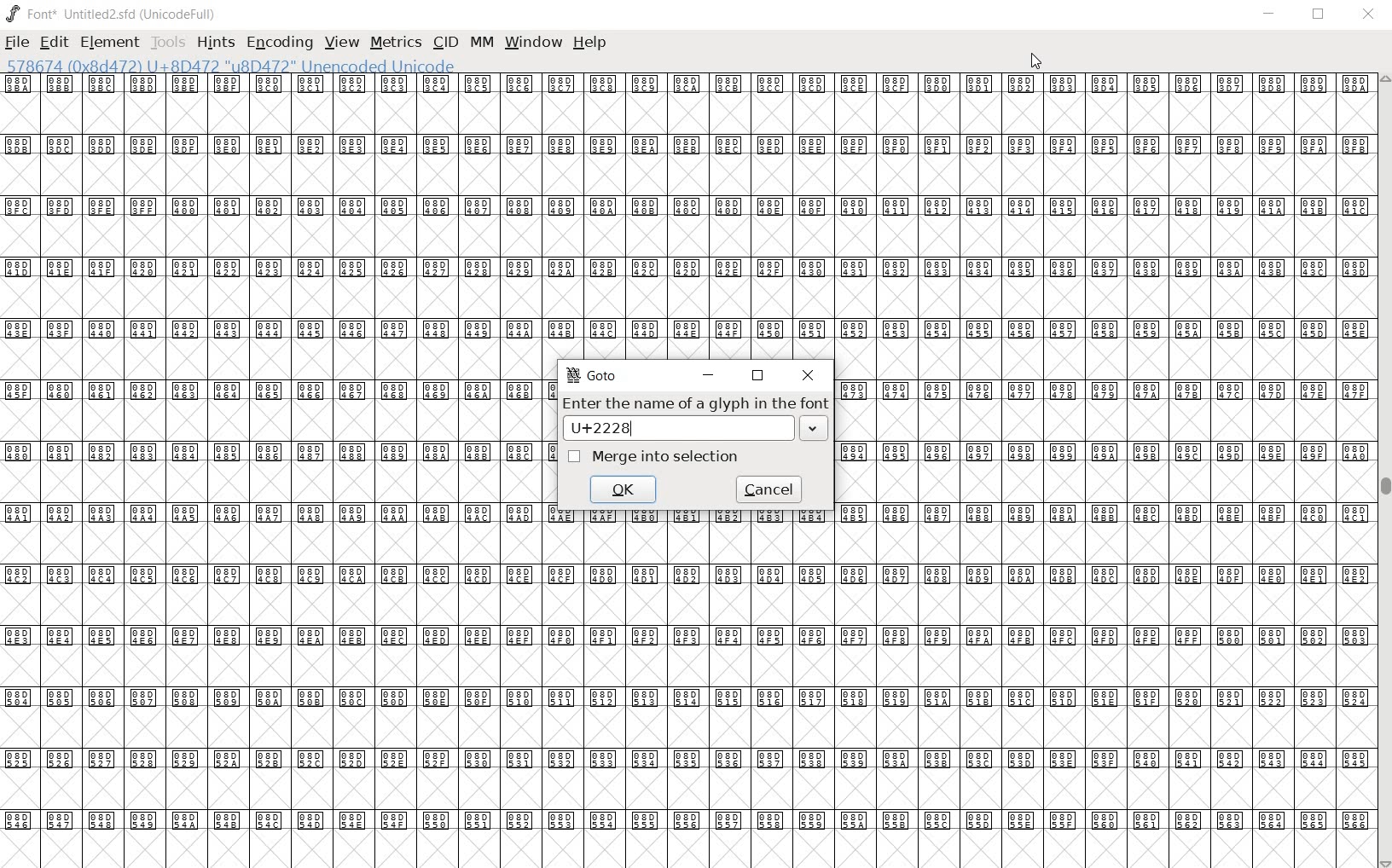 This screenshot has width=1392, height=868. Describe the element at coordinates (535, 43) in the screenshot. I see `window` at that location.